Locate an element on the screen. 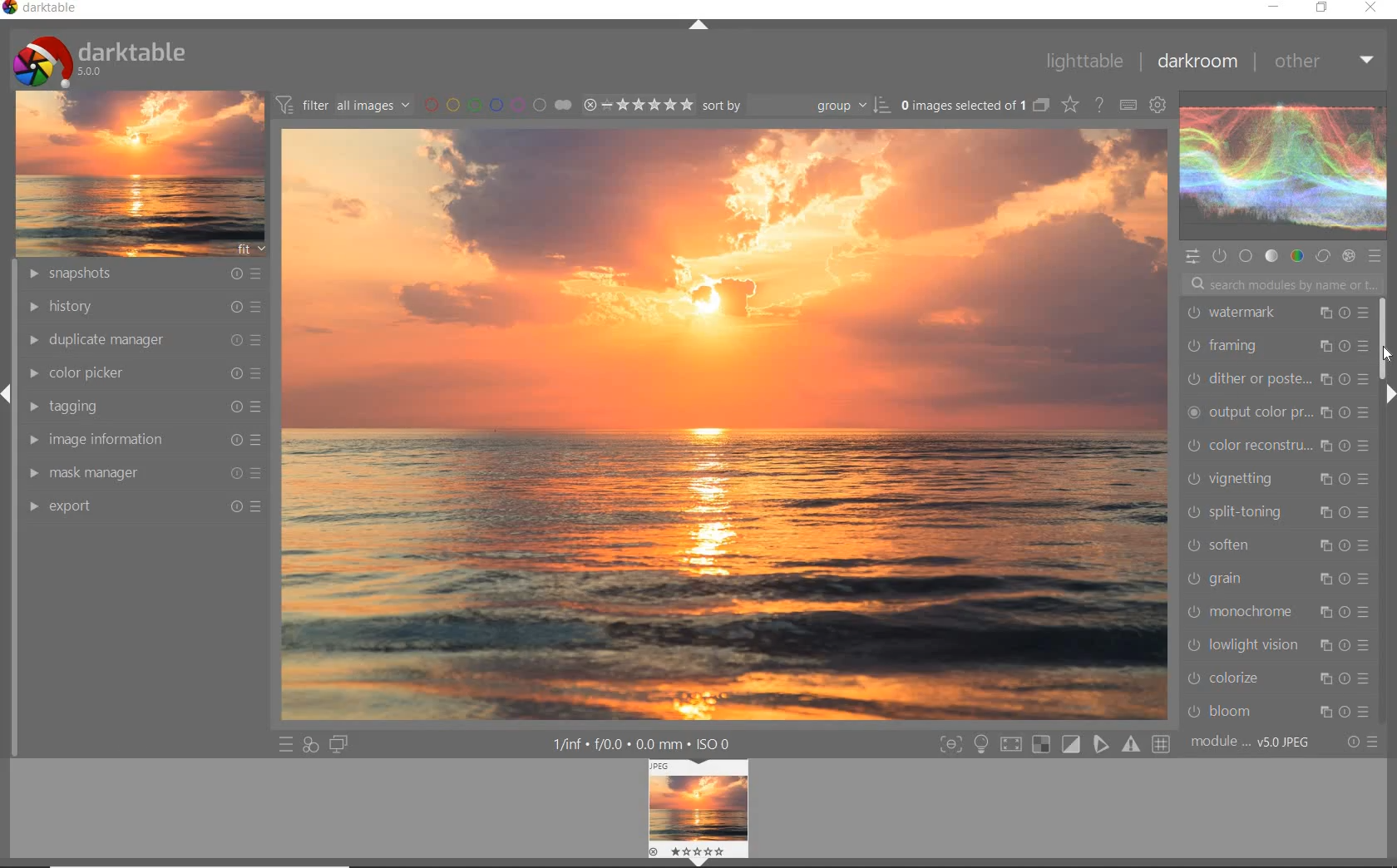 The height and width of the screenshot is (868, 1397). DISPLAY A SECOND DARKROOM IMAGE WINDOW is located at coordinates (338, 746).